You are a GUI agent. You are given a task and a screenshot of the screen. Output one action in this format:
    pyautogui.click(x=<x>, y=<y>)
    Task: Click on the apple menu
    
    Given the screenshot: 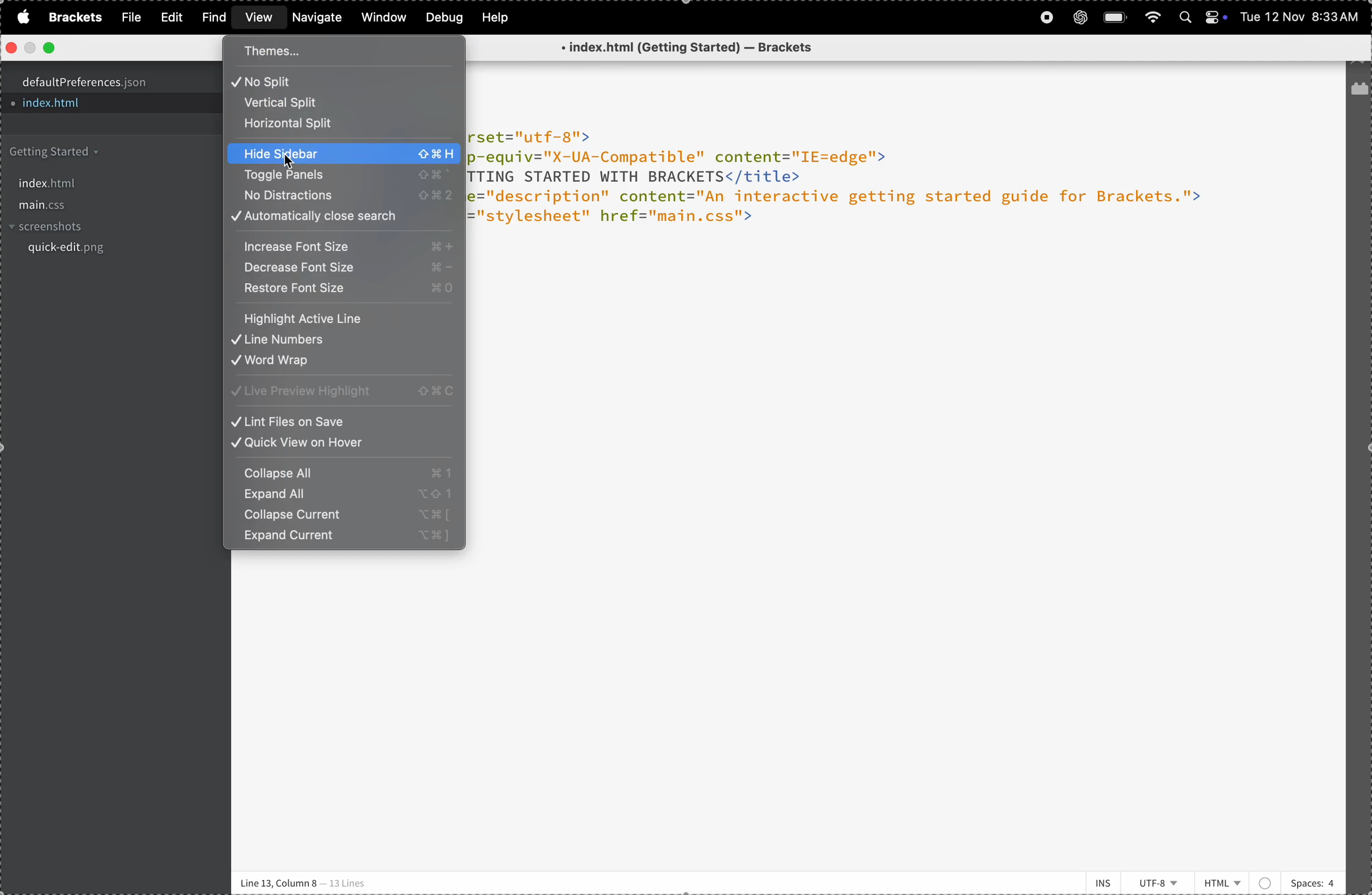 What is the action you would take?
    pyautogui.click(x=20, y=17)
    